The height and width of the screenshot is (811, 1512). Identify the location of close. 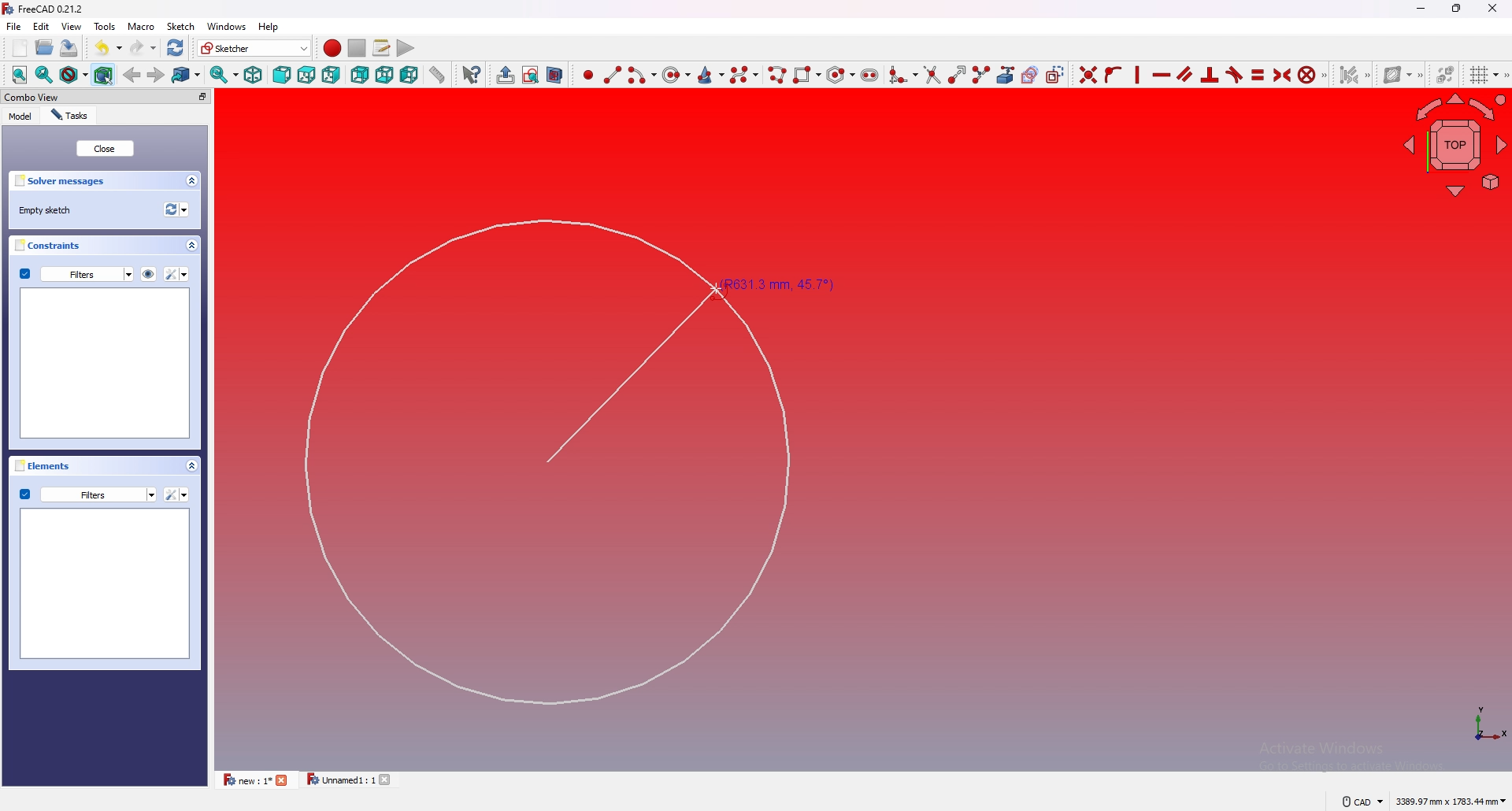
(283, 780).